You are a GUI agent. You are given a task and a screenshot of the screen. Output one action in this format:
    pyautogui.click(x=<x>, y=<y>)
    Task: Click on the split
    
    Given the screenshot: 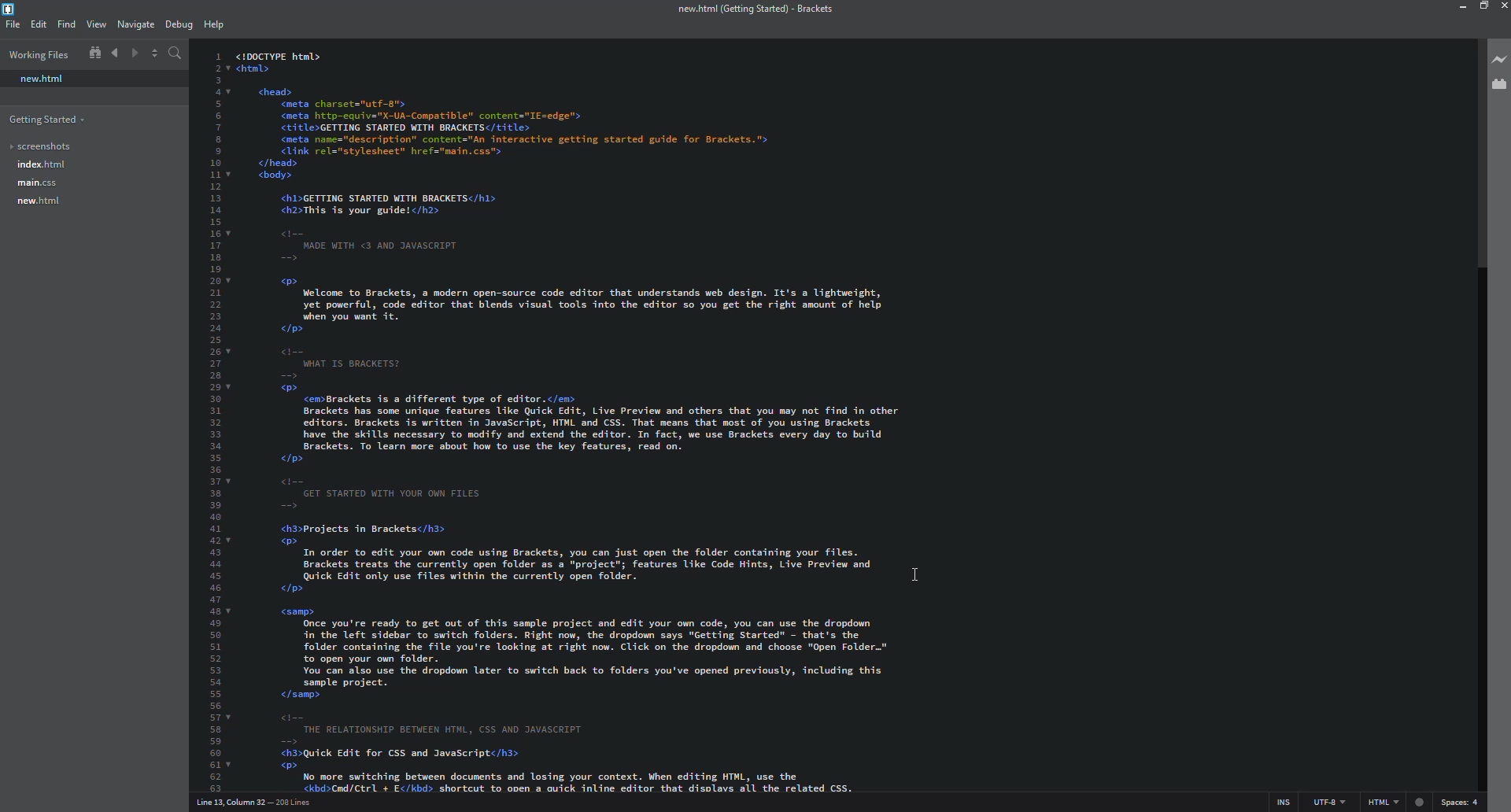 What is the action you would take?
    pyautogui.click(x=153, y=53)
    